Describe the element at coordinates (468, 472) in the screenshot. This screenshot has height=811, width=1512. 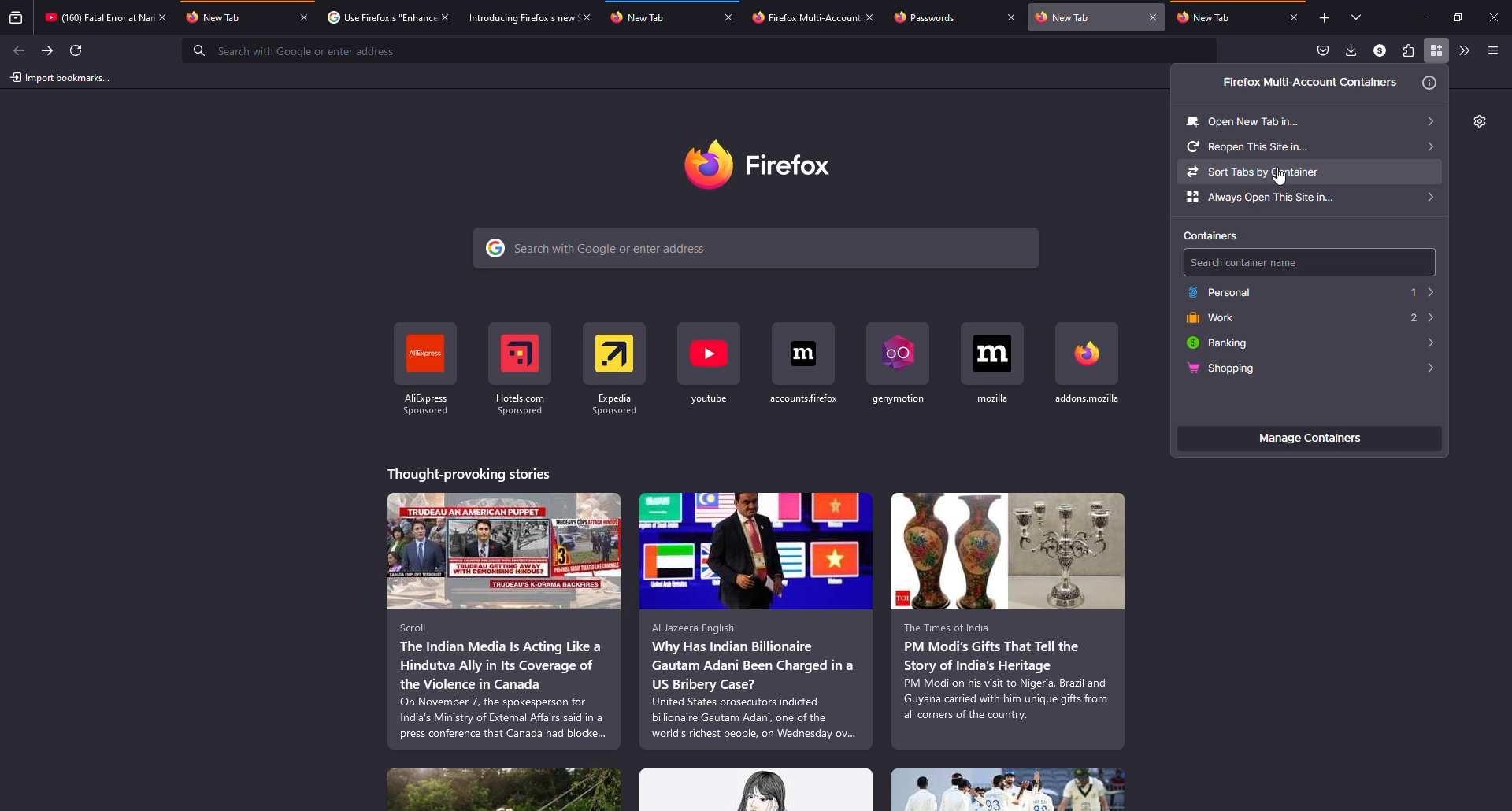
I see `stories` at that location.